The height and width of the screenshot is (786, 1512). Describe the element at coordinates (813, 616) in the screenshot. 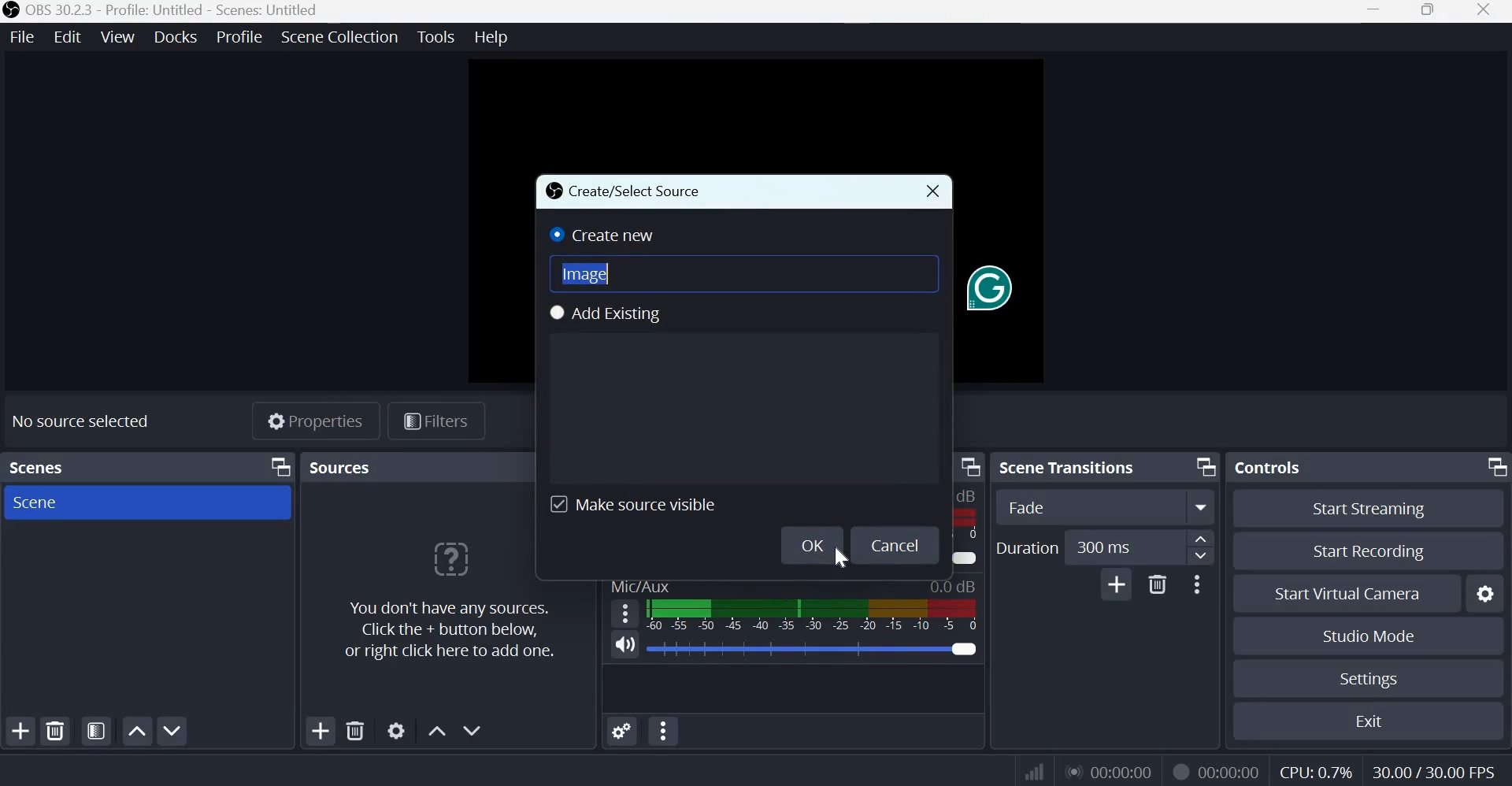

I see `Volume Meter` at that location.